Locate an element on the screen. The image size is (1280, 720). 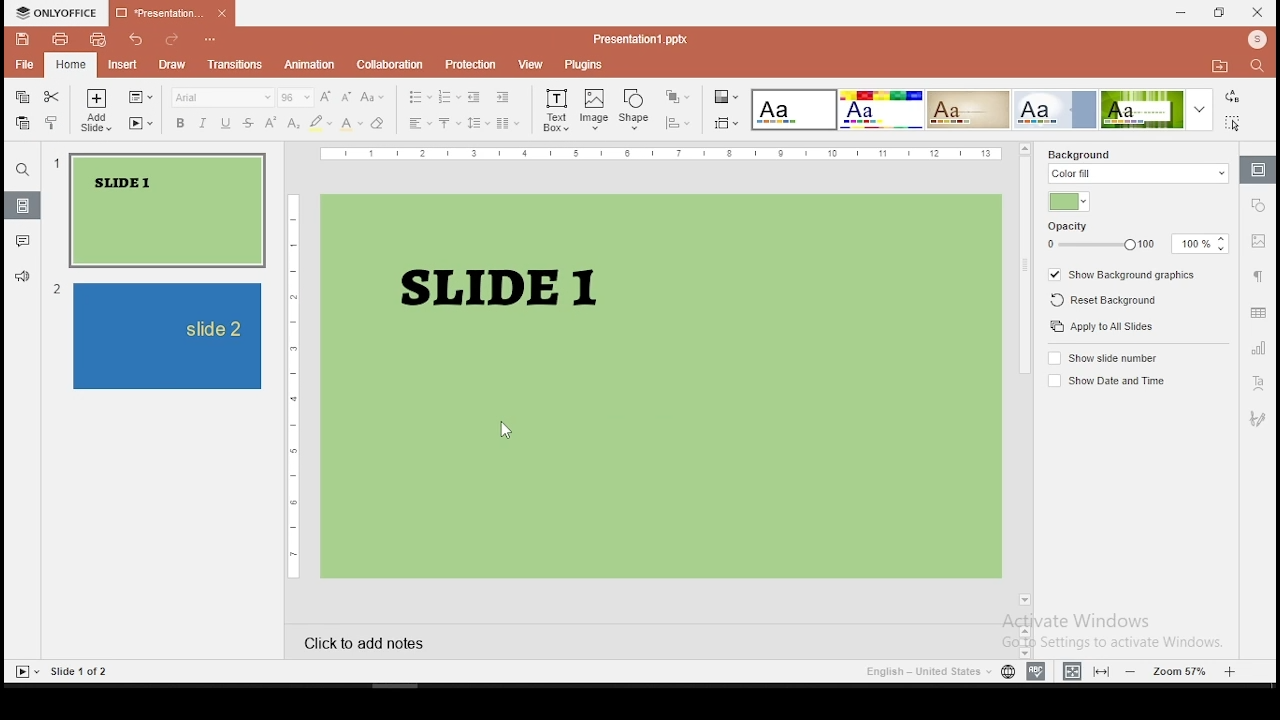
background fill is located at coordinates (1080, 154).